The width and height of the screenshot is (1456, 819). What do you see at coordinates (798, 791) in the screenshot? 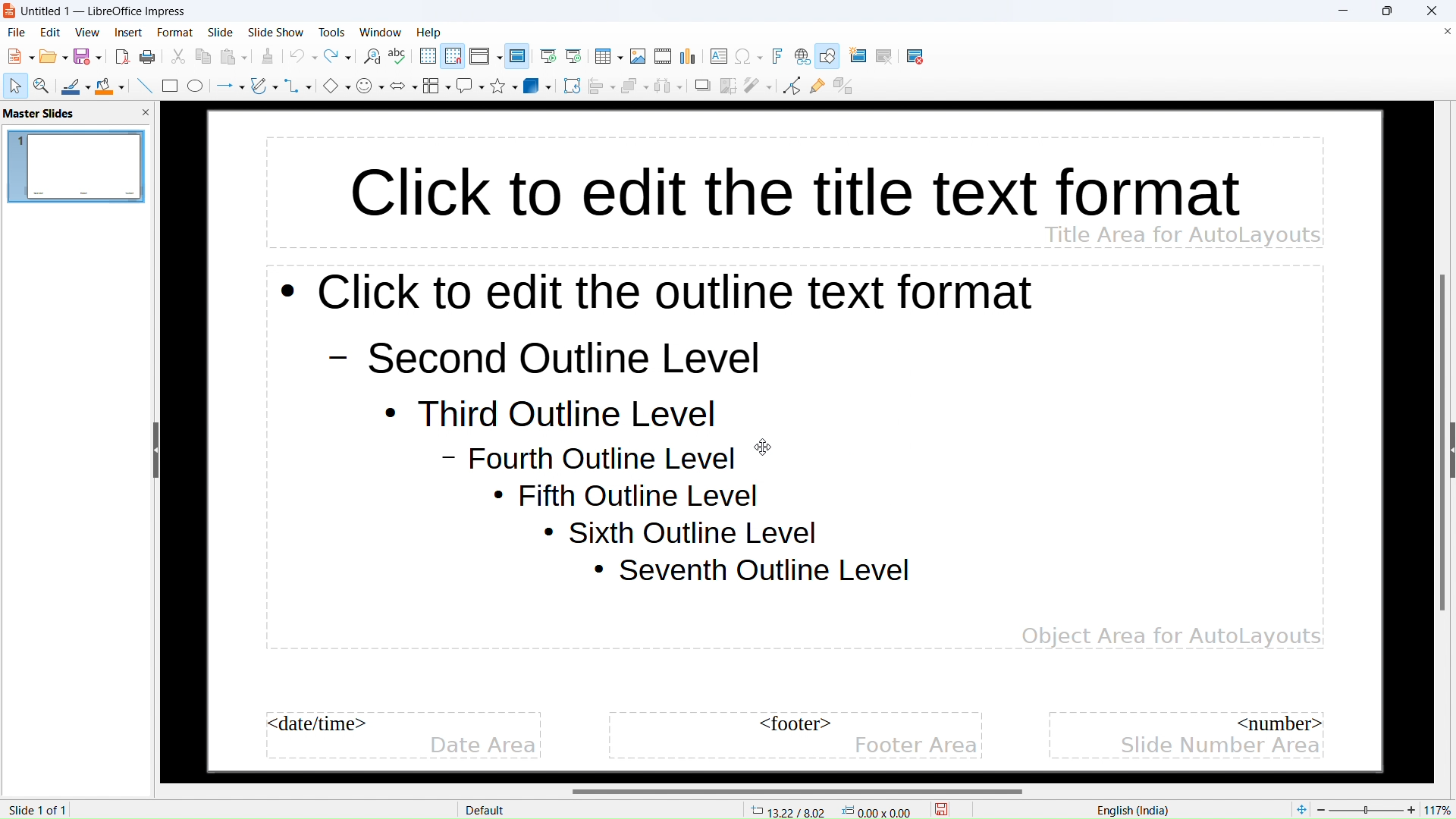
I see `horizontal scrollbar` at bounding box center [798, 791].